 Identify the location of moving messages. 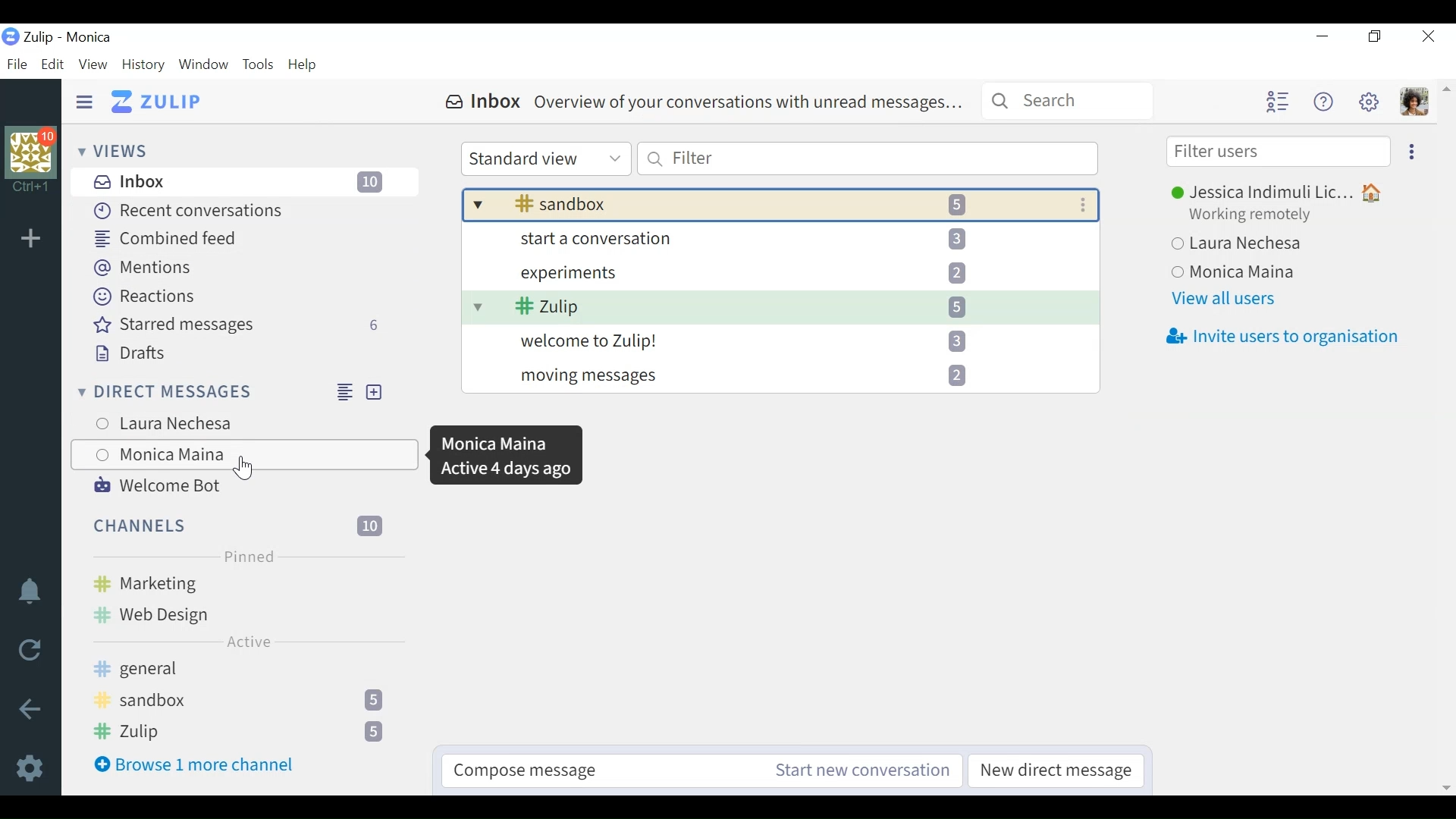
(781, 378).